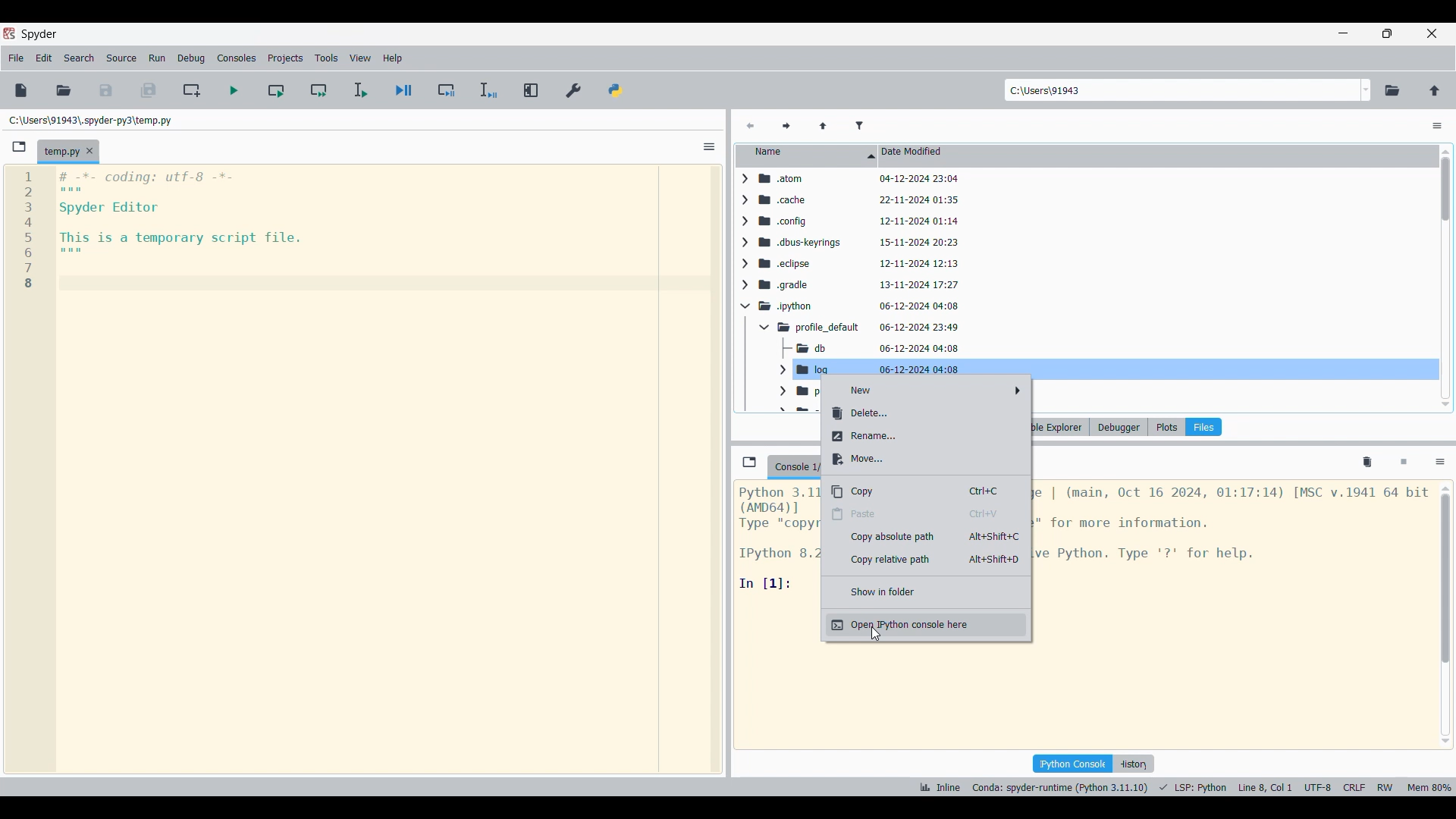 This screenshot has width=1456, height=819. What do you see at coordinates (404, 90) in the screenshot?
I see `Debug file` at bounding box center [404, 90].